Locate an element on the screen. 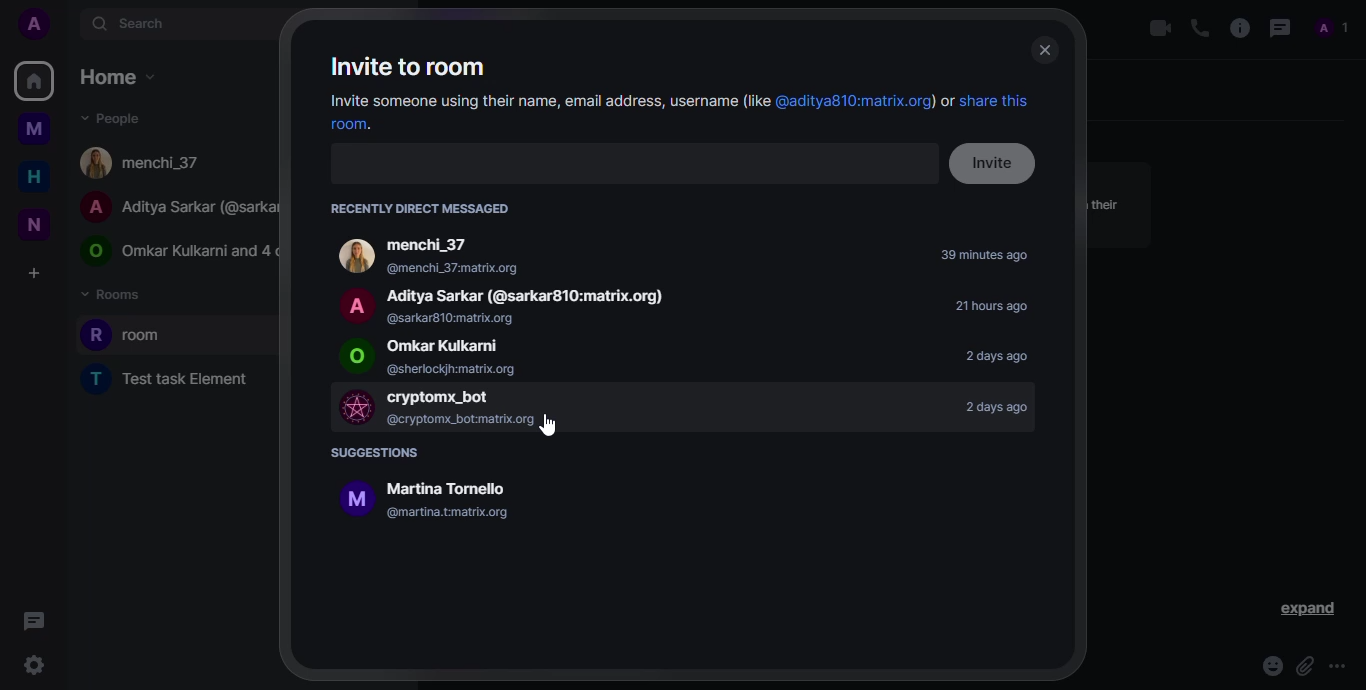 This screenshot has height=690, width=1366. search is located at coordinates (131, 23).